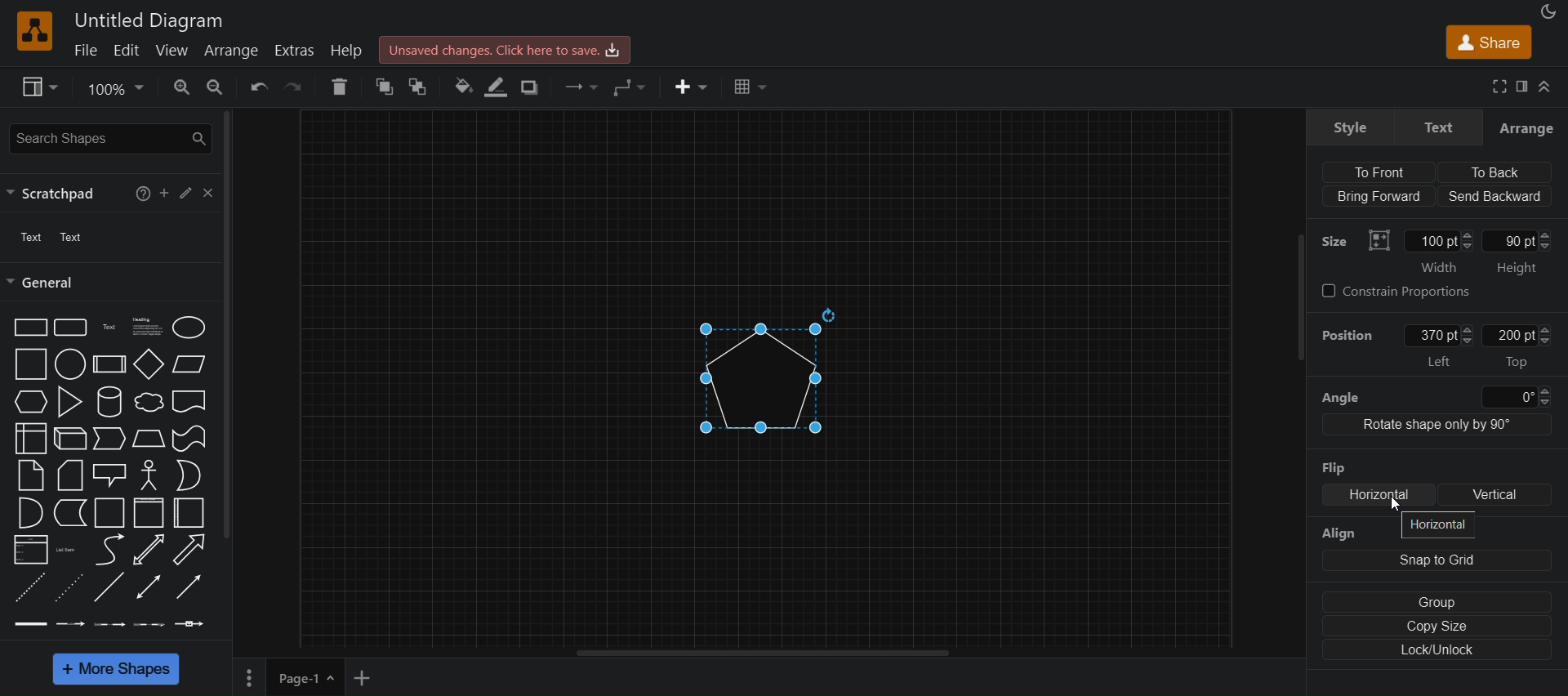  I want to click on Sqaure, so click(31, 364).